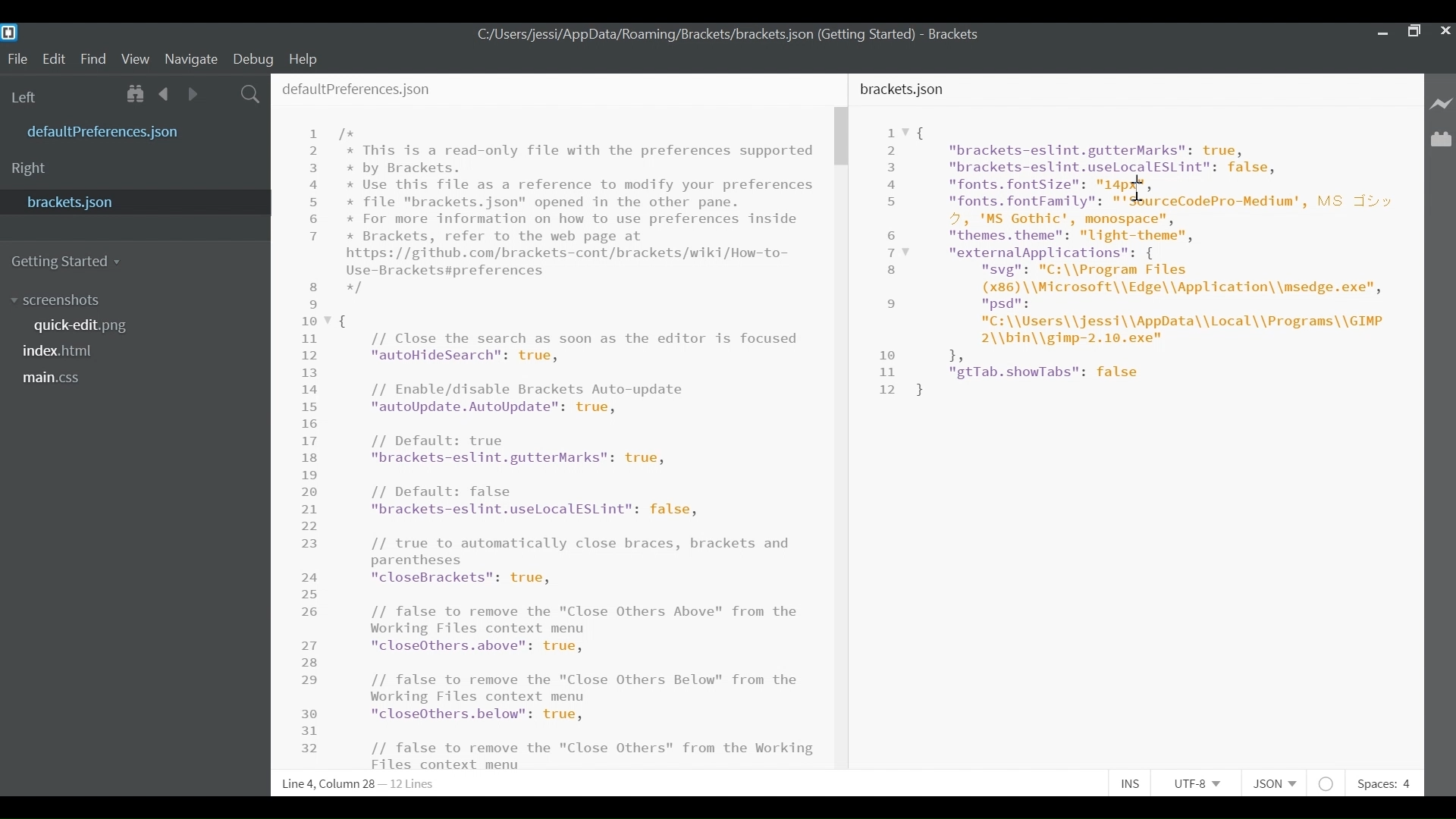  What do you see at coordinates (843, 137) in the screenshot?
I see `Vertical Scroll bar` at bounding box center [843, 137].